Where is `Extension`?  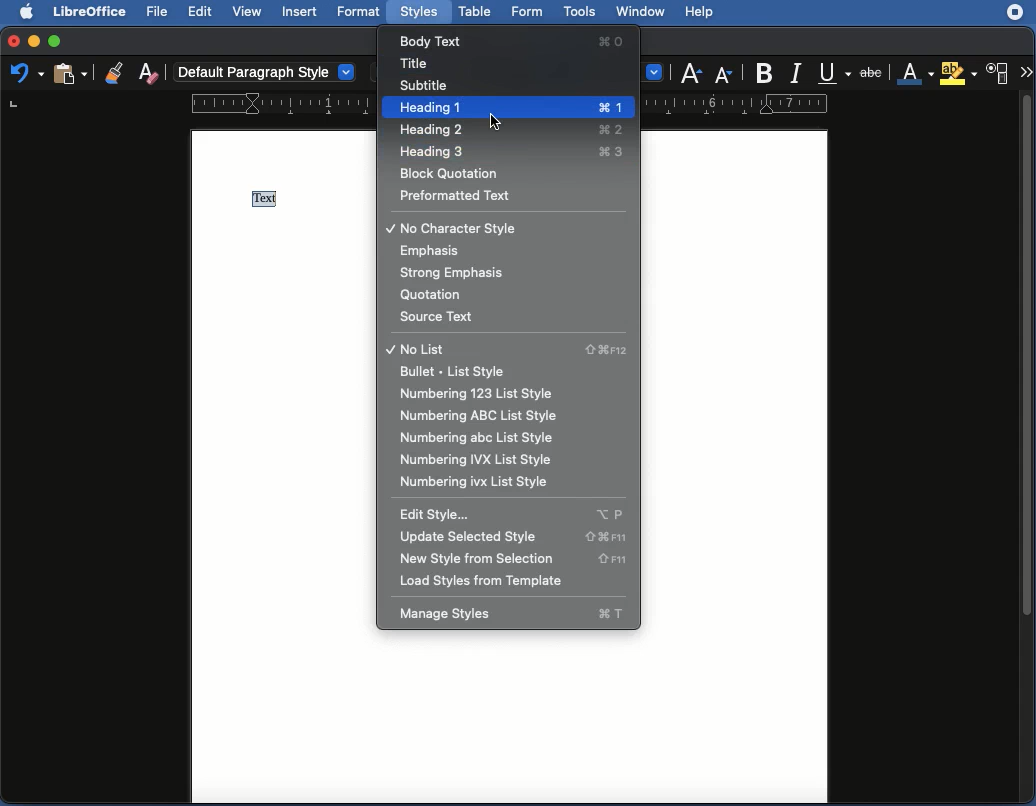 Extension is located at coordinates (1015, 13).